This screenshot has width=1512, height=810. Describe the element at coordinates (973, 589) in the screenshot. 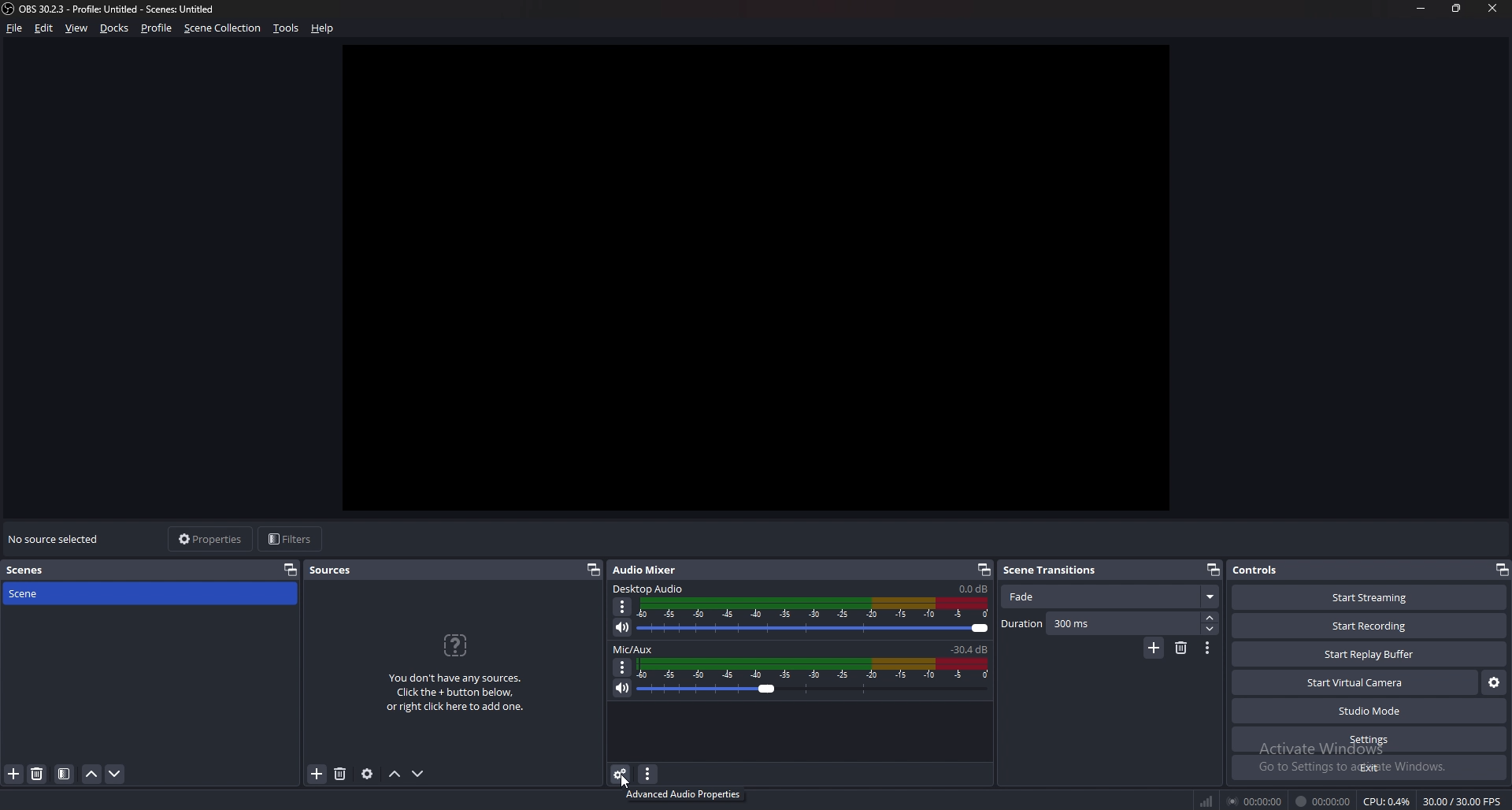

I see `desktop audio volume` at that location.